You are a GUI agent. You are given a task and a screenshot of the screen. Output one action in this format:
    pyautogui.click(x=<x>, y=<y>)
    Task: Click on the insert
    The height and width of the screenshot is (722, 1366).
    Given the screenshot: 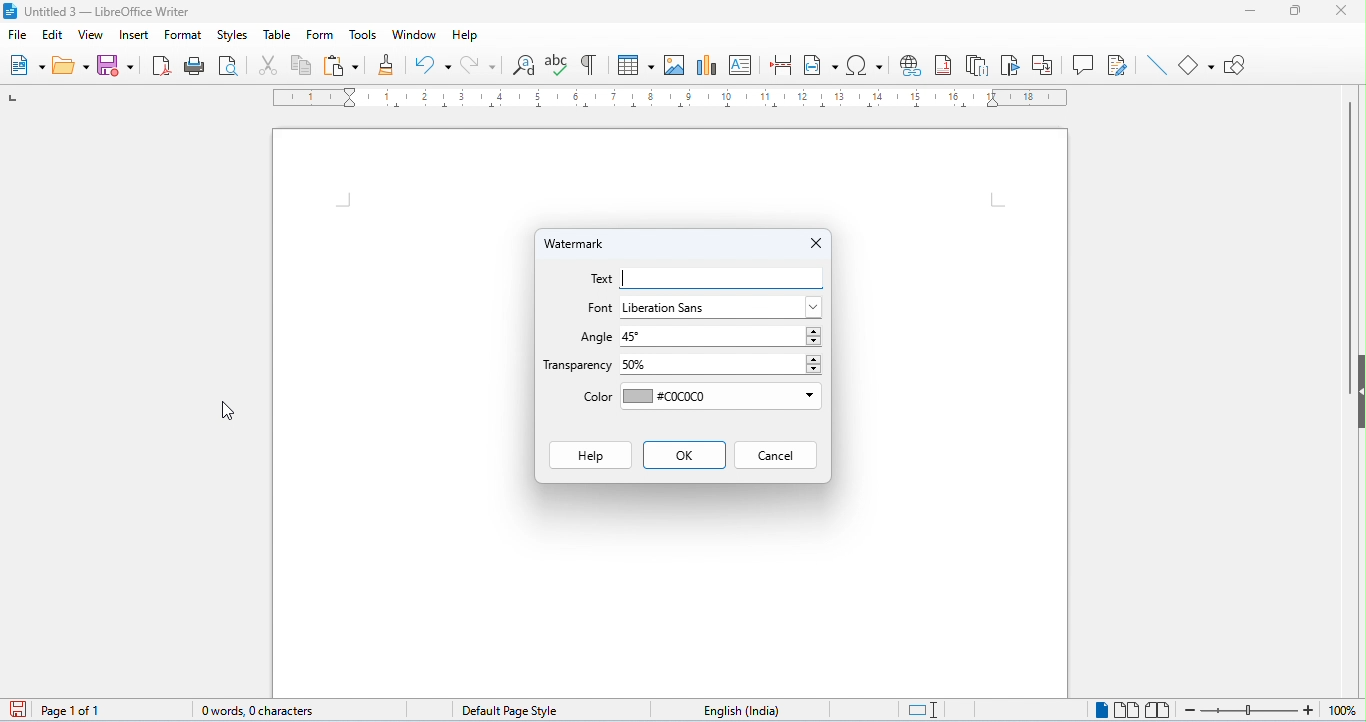 What is the action you would take?
    pyautogui.click(x=135, y=36)
    